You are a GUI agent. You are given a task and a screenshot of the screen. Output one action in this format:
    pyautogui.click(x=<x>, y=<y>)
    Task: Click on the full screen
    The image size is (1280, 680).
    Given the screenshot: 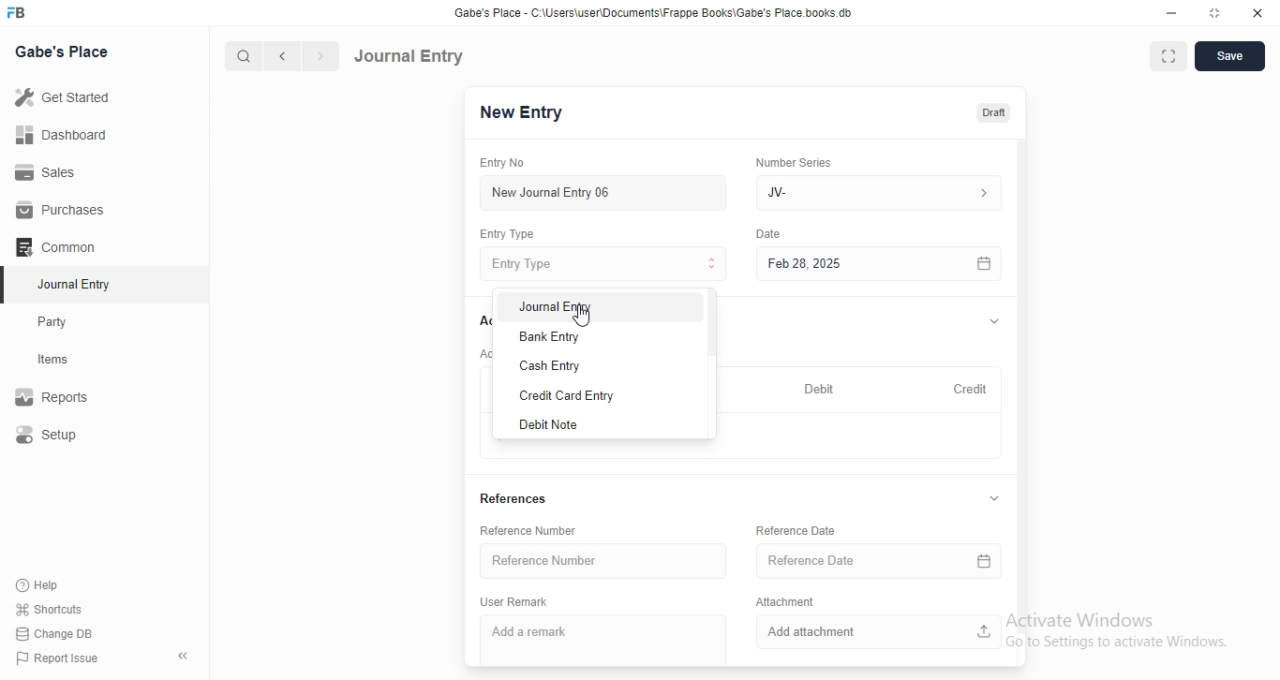 What is the action you would take?
    pyautogui.click(x=1172, y=57)
    